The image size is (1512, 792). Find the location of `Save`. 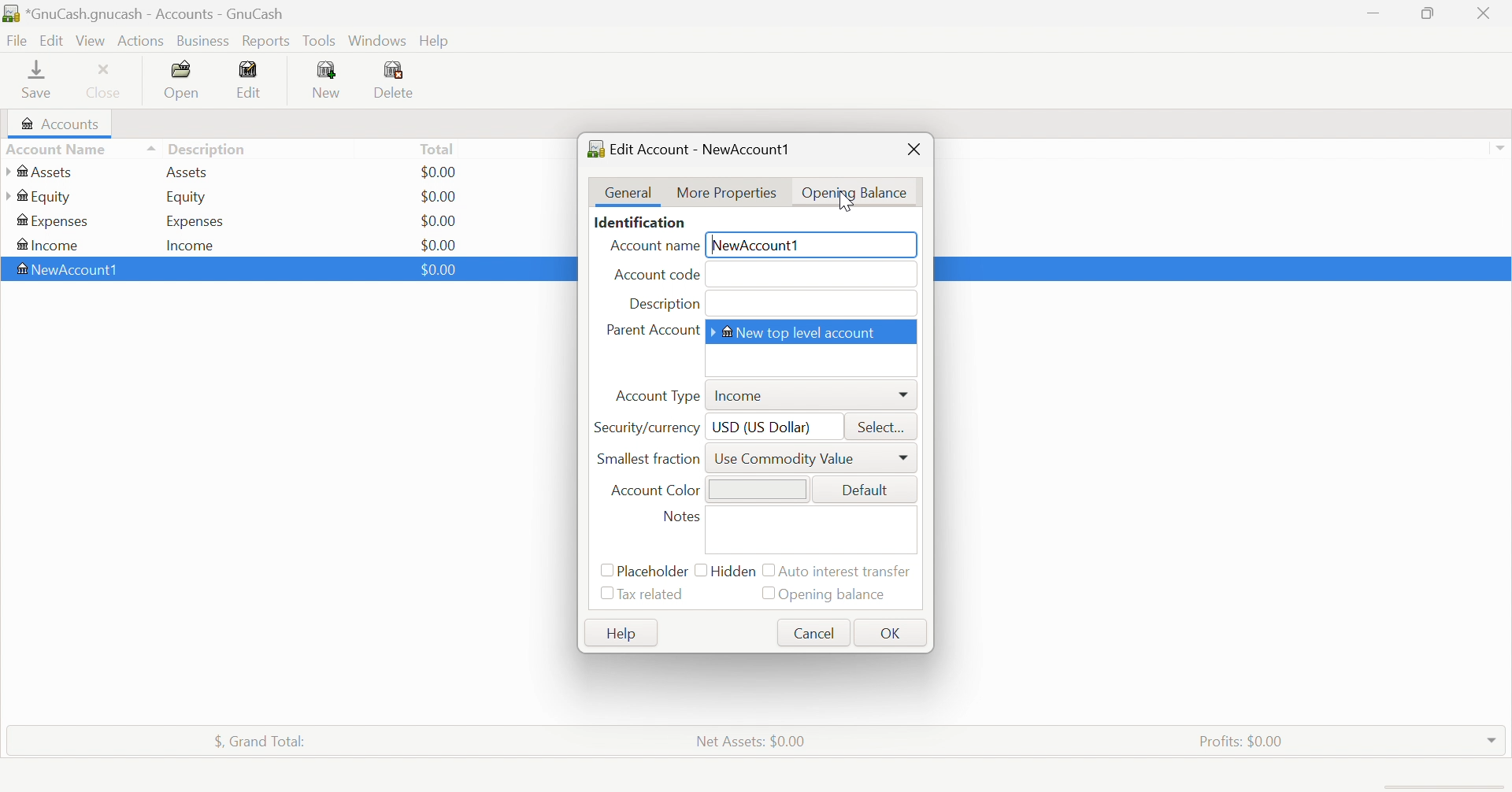

Save is located at coordinates (39, 81).